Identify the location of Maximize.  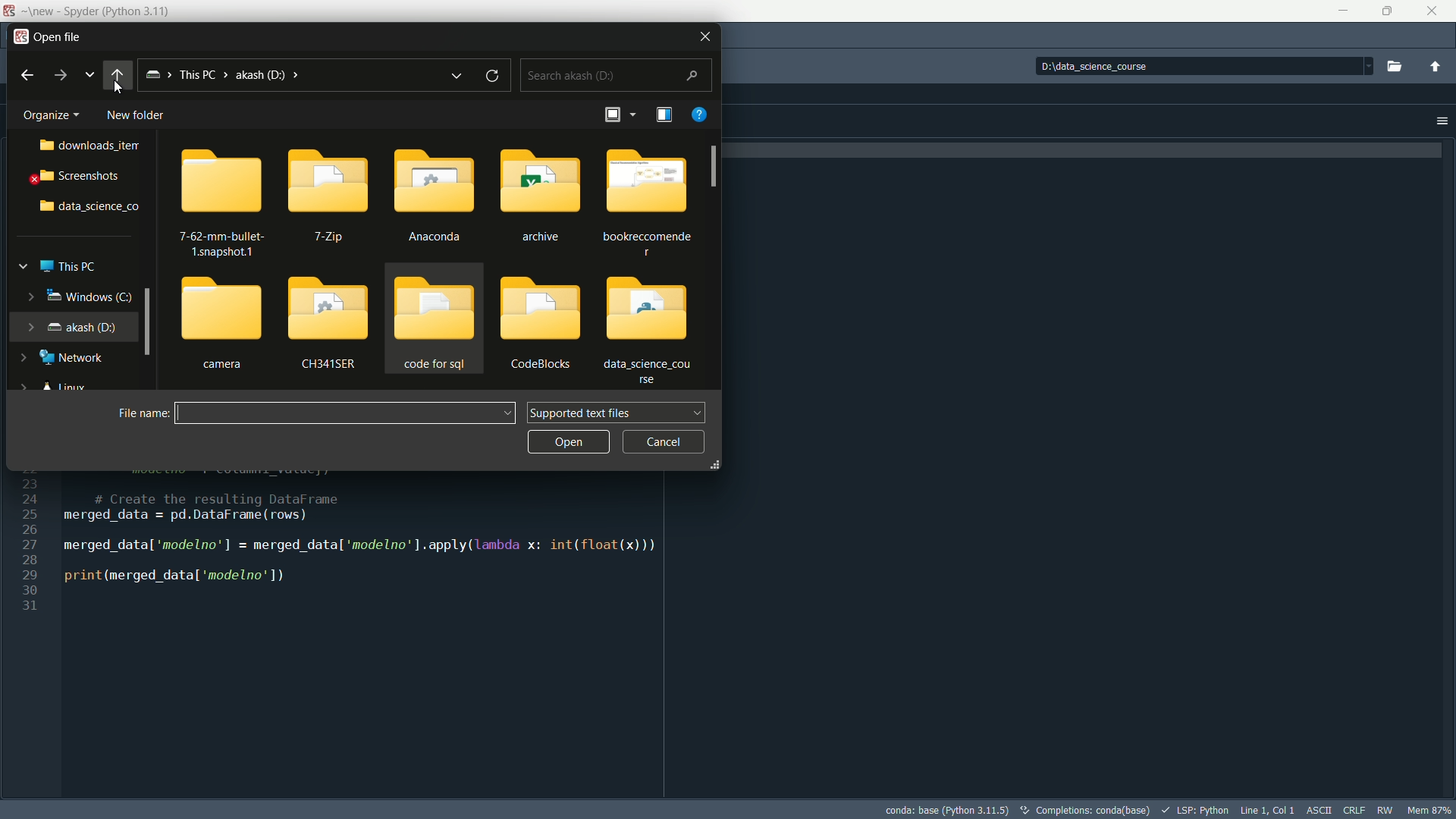
(1387, 11).